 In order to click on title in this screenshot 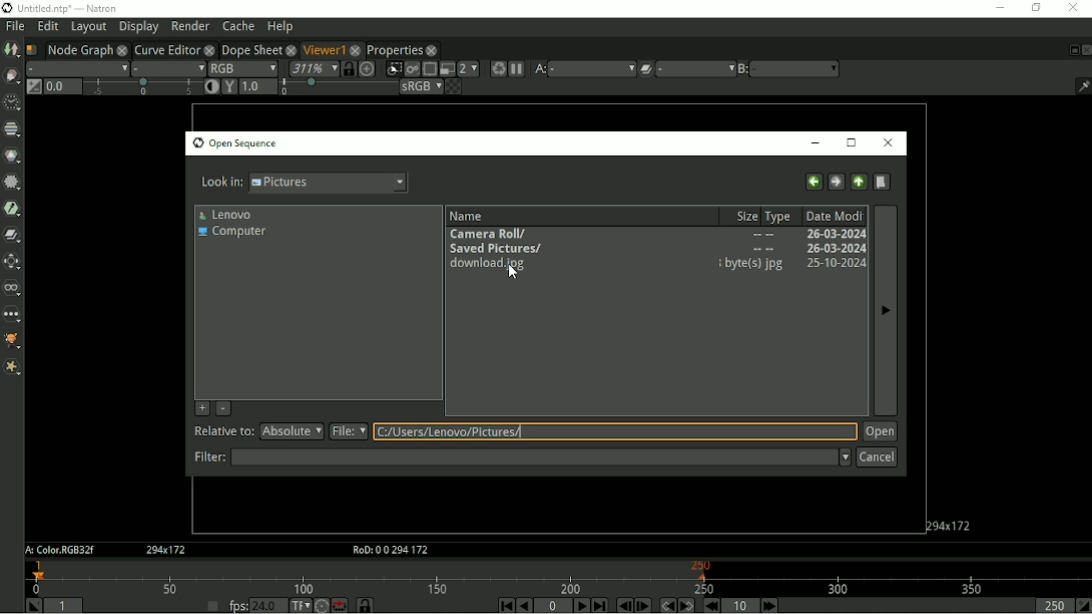, I will do `click(101, 7)`.